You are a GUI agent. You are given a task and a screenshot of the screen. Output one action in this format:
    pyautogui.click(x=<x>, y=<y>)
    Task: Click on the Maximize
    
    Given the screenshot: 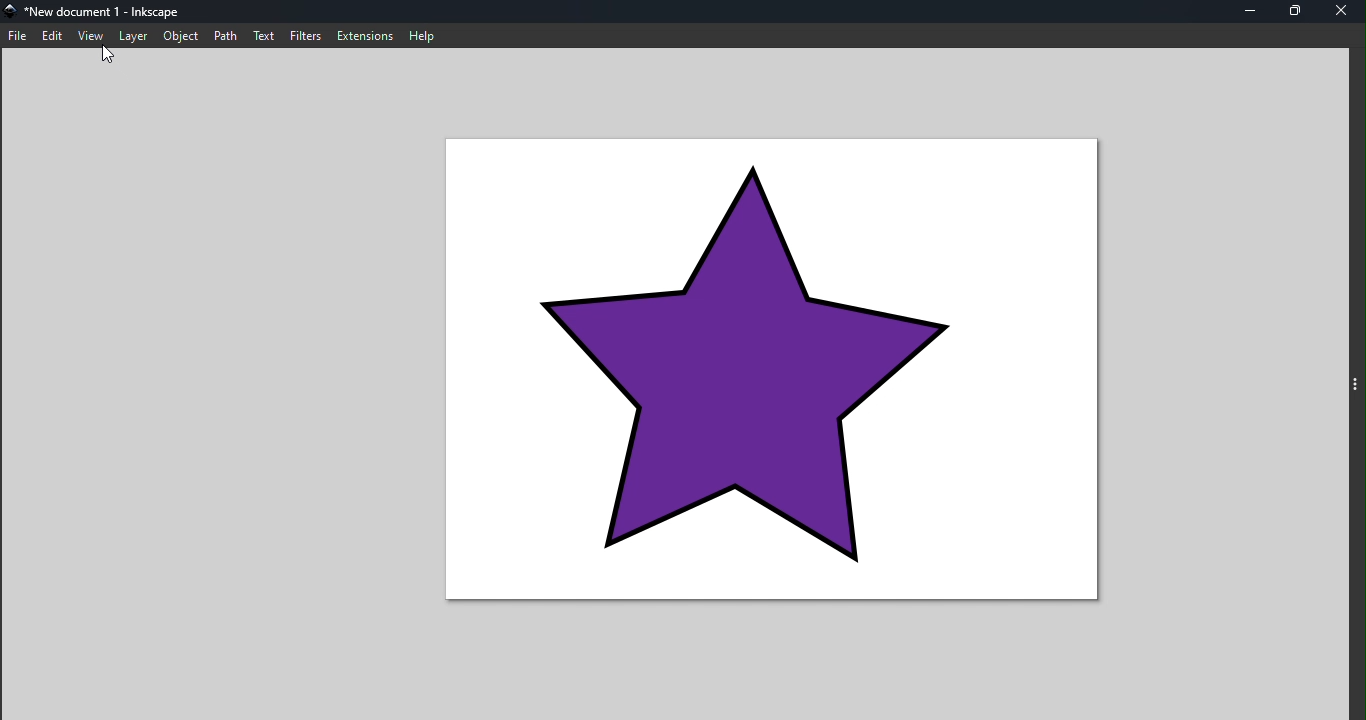 What is the action you would take?
    pyautogui.click(x=1303, y=12)
    